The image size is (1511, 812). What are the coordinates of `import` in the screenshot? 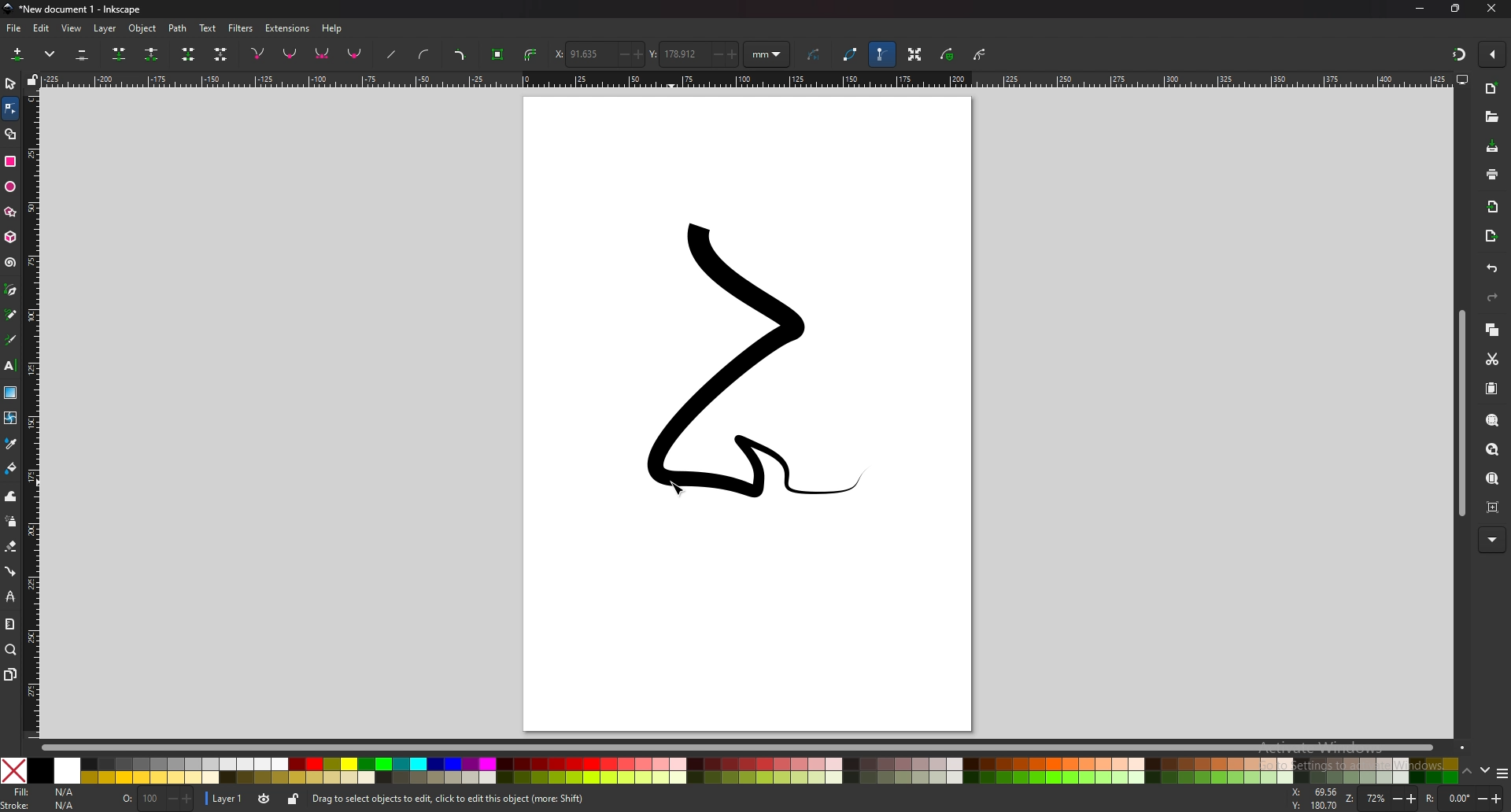 It's located at (1493, 206).